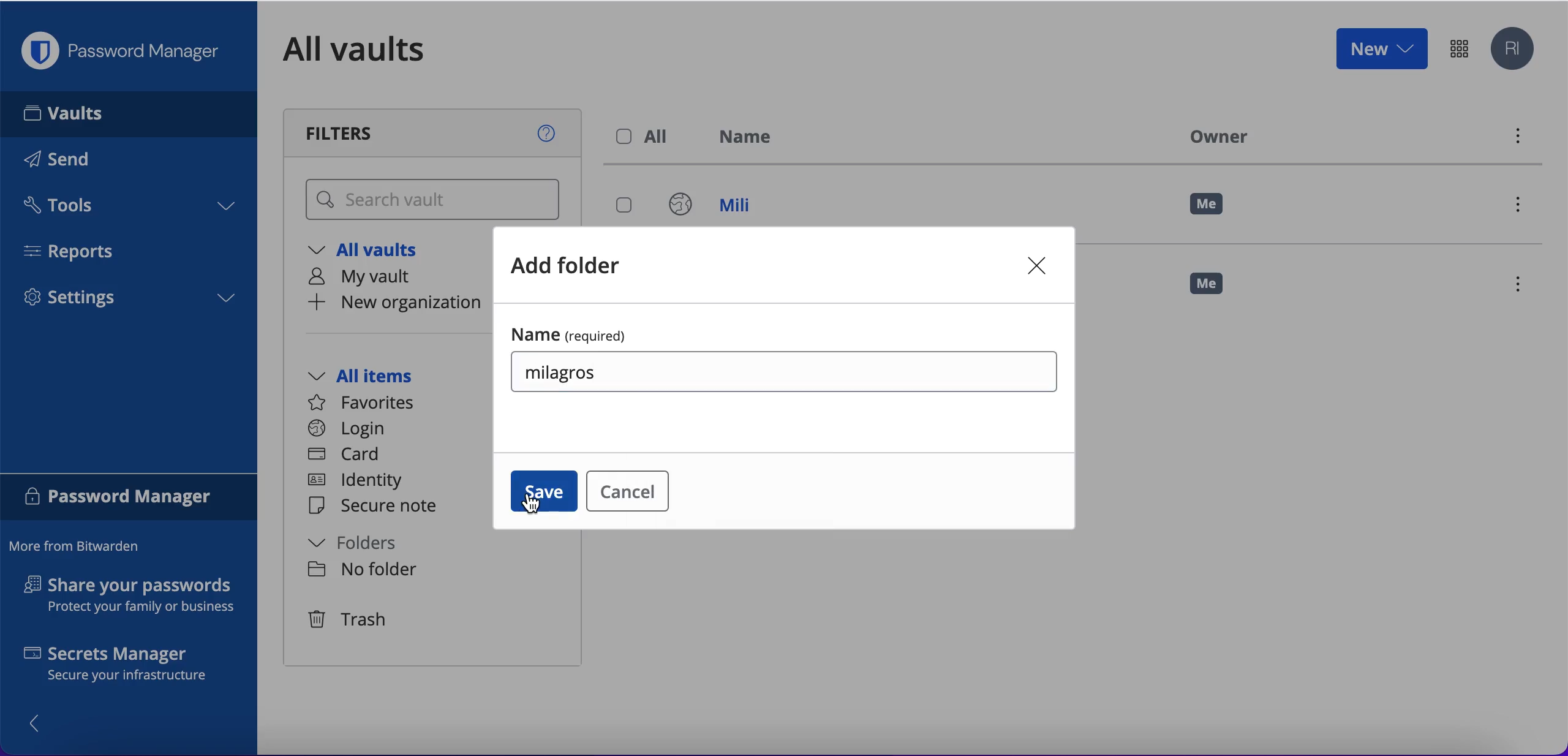 Image resolution: width=1568 pixels, height=756 pixels. I want to click on filters, so click(435, 133).